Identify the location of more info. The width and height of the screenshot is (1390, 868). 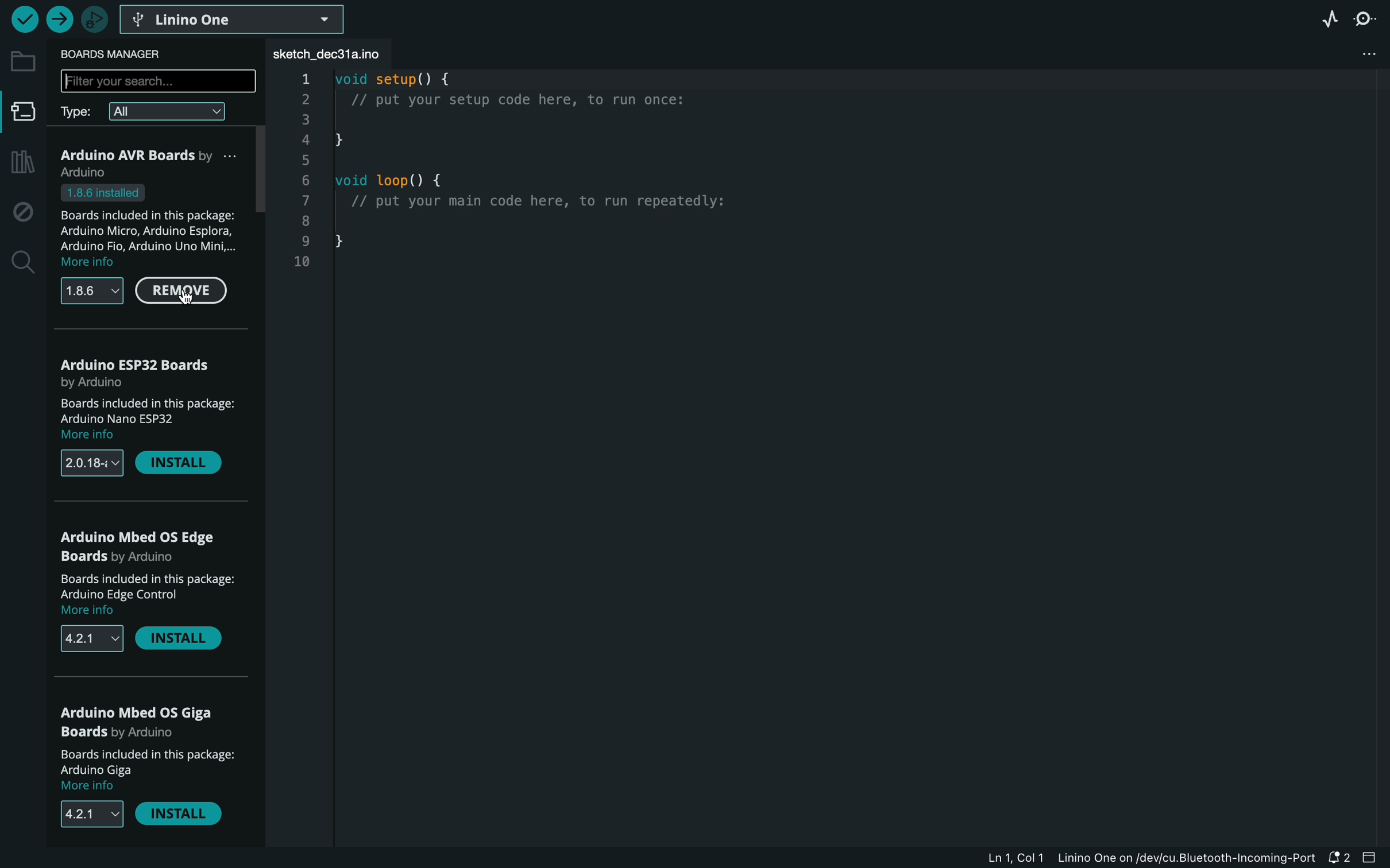
(88, 265).